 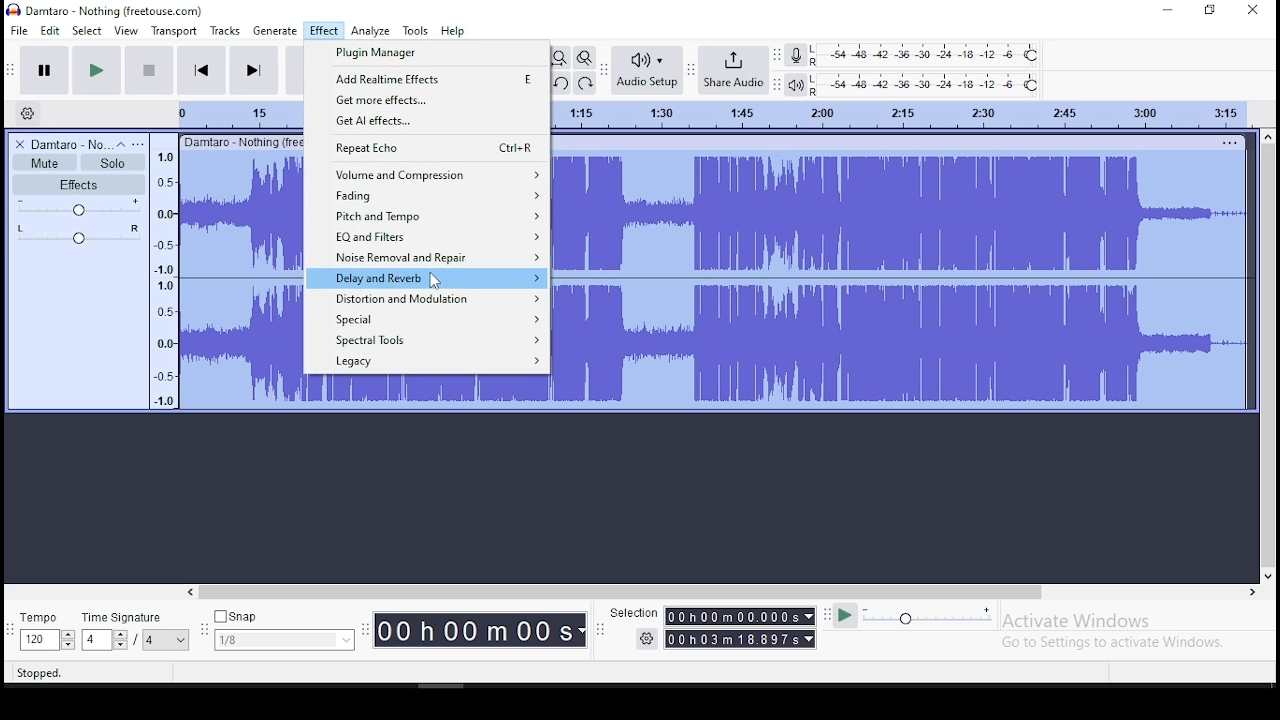 I want to click on effects, so click(x=324, y=31).